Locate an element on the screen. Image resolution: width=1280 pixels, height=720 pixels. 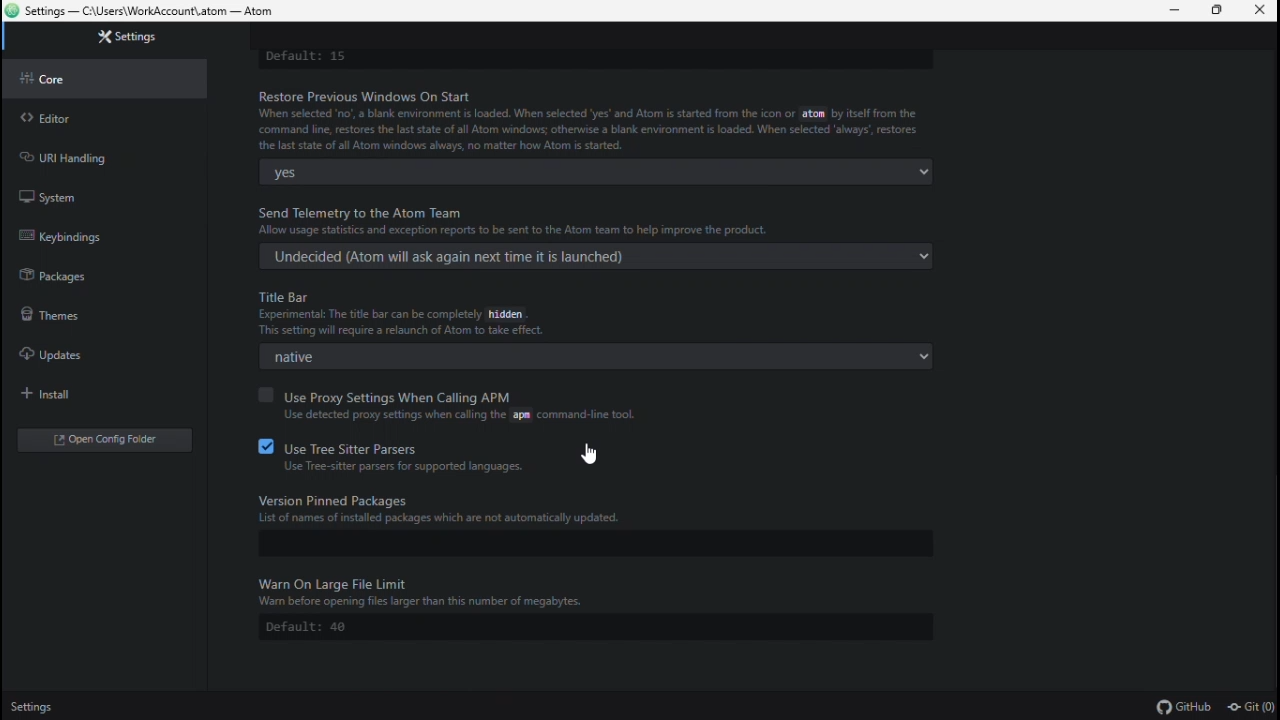
checkbox is located at coordinates (262, 395).